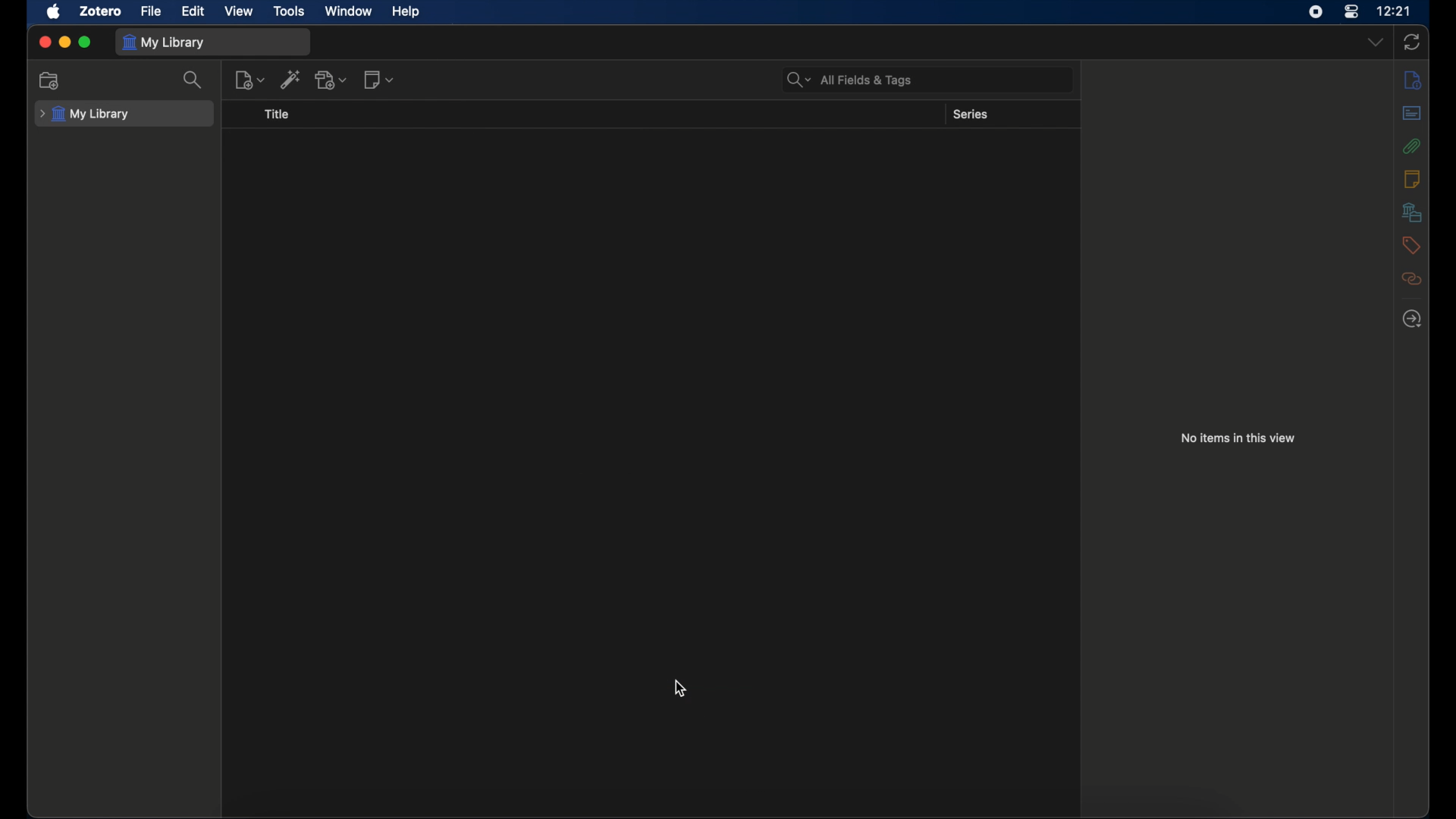  What do you see at coordinates (164, 42) in the screenshot?
I see `my library` at bounding box center [164, 42].